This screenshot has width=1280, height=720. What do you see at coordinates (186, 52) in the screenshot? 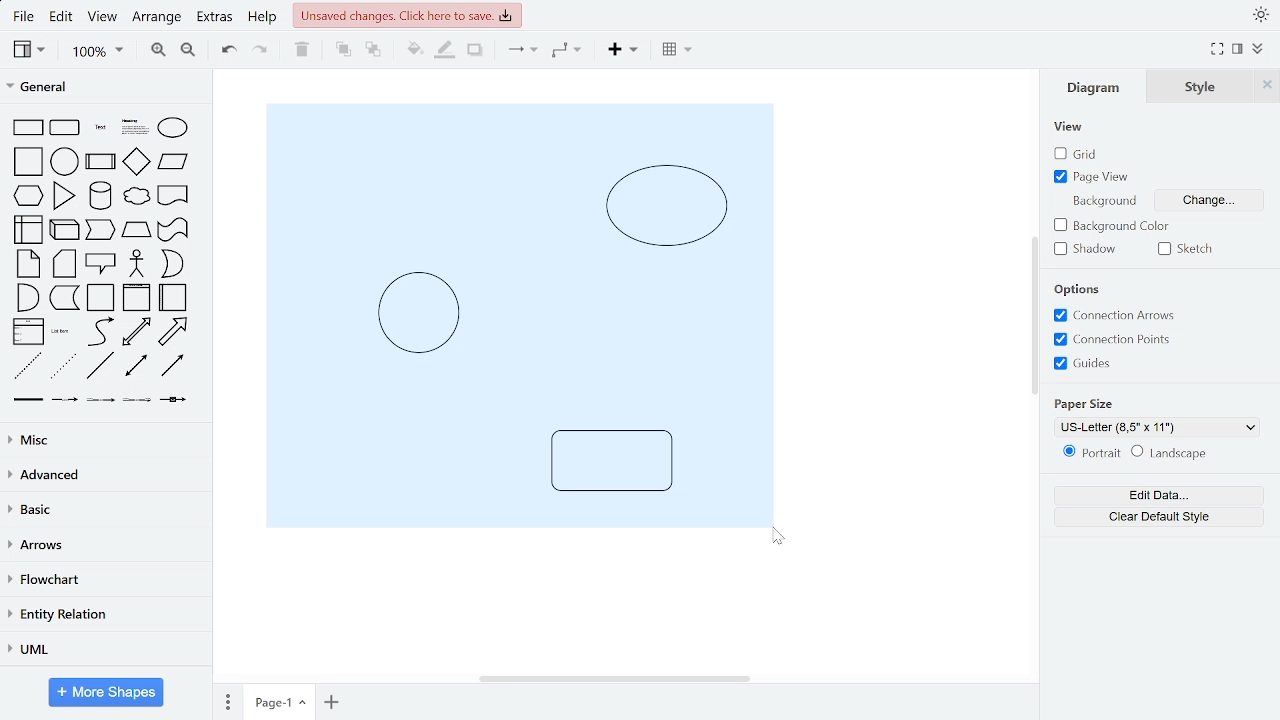
I see `zoom out` at bounding box center [186, 52].